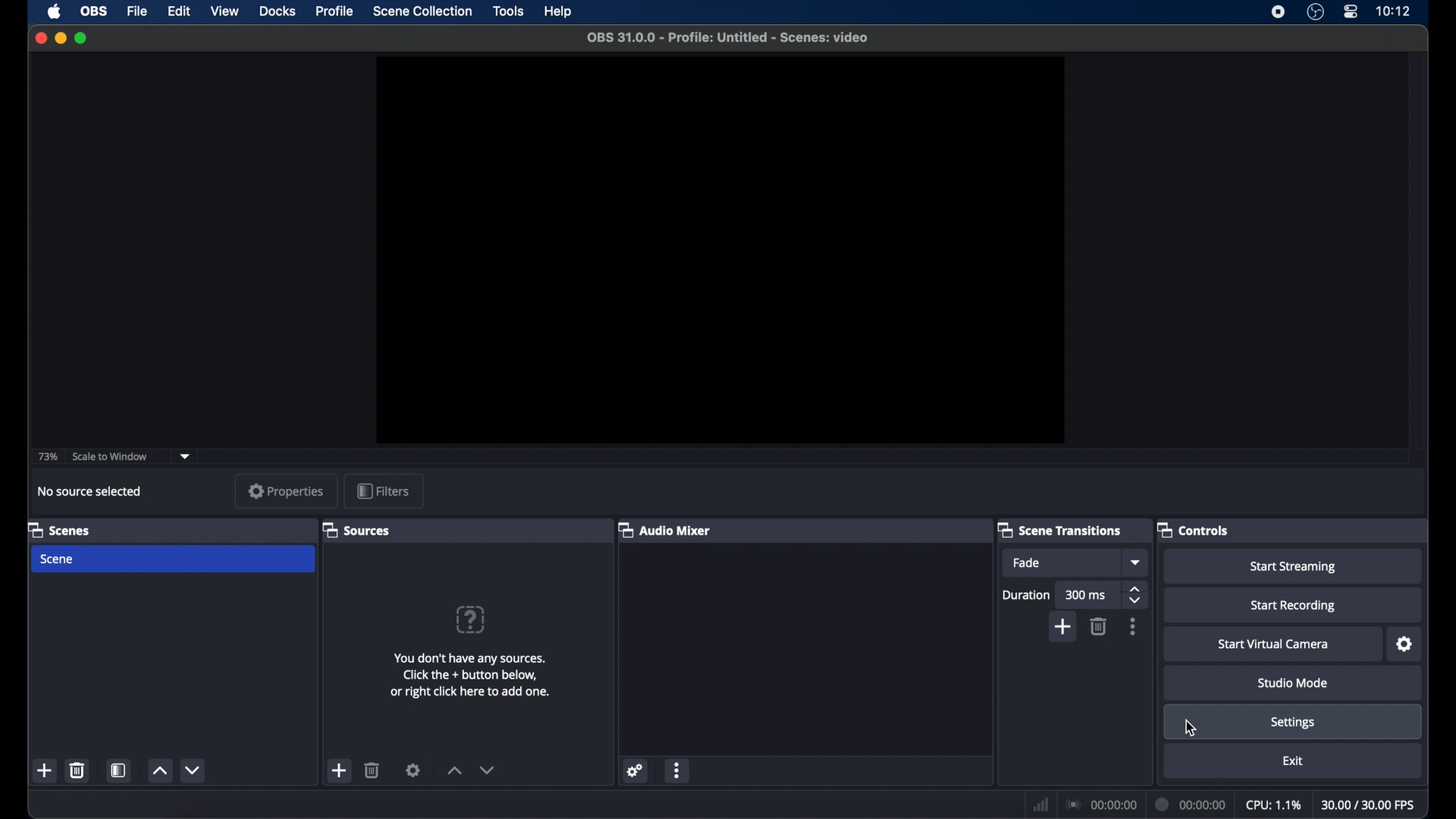  I want to click on settings, so click(414, 770).